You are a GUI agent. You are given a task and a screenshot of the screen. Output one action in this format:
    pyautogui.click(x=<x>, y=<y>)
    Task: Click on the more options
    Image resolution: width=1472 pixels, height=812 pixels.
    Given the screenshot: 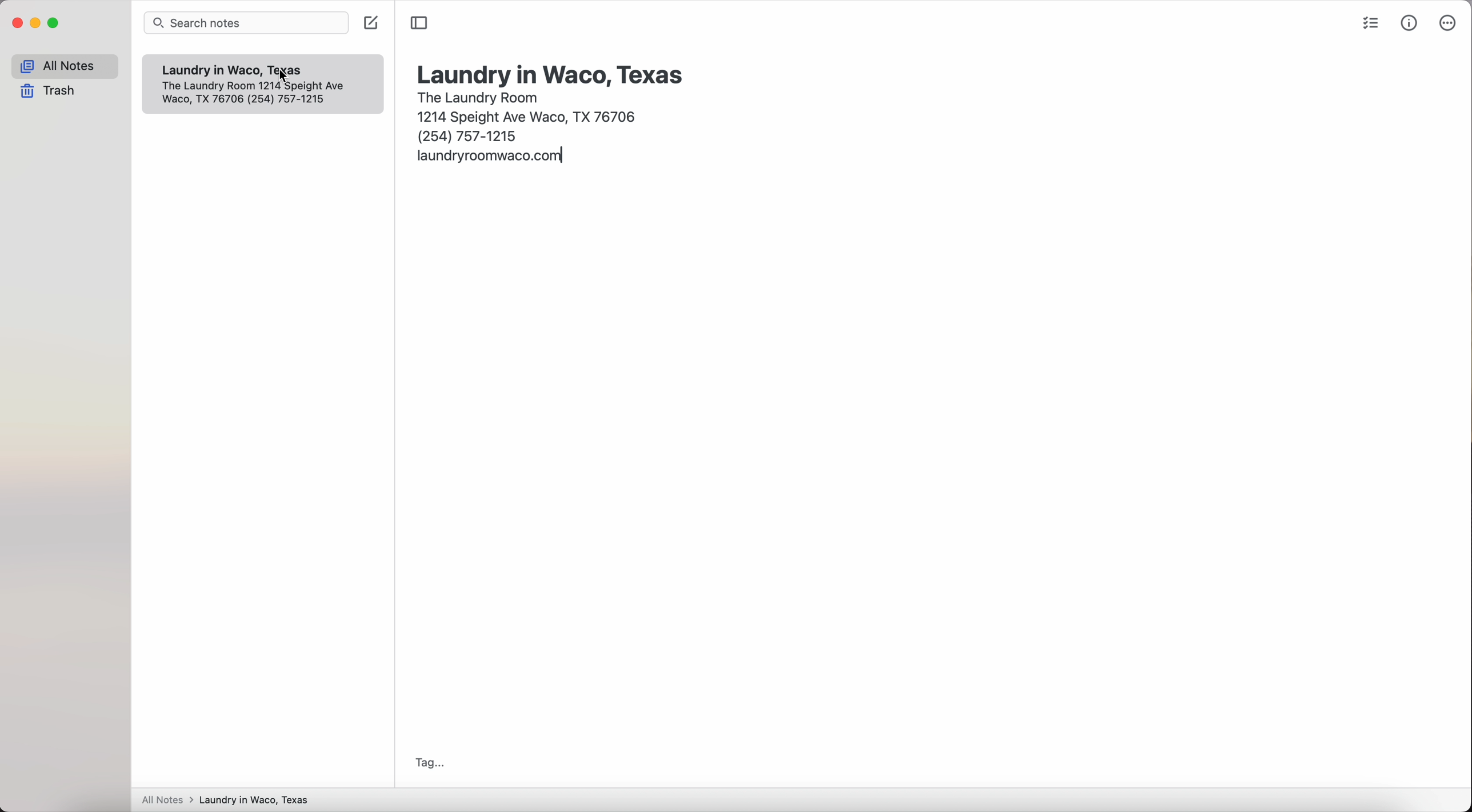 What is the action you would take?
    pyautogui.click(x=1446, y=23)
    